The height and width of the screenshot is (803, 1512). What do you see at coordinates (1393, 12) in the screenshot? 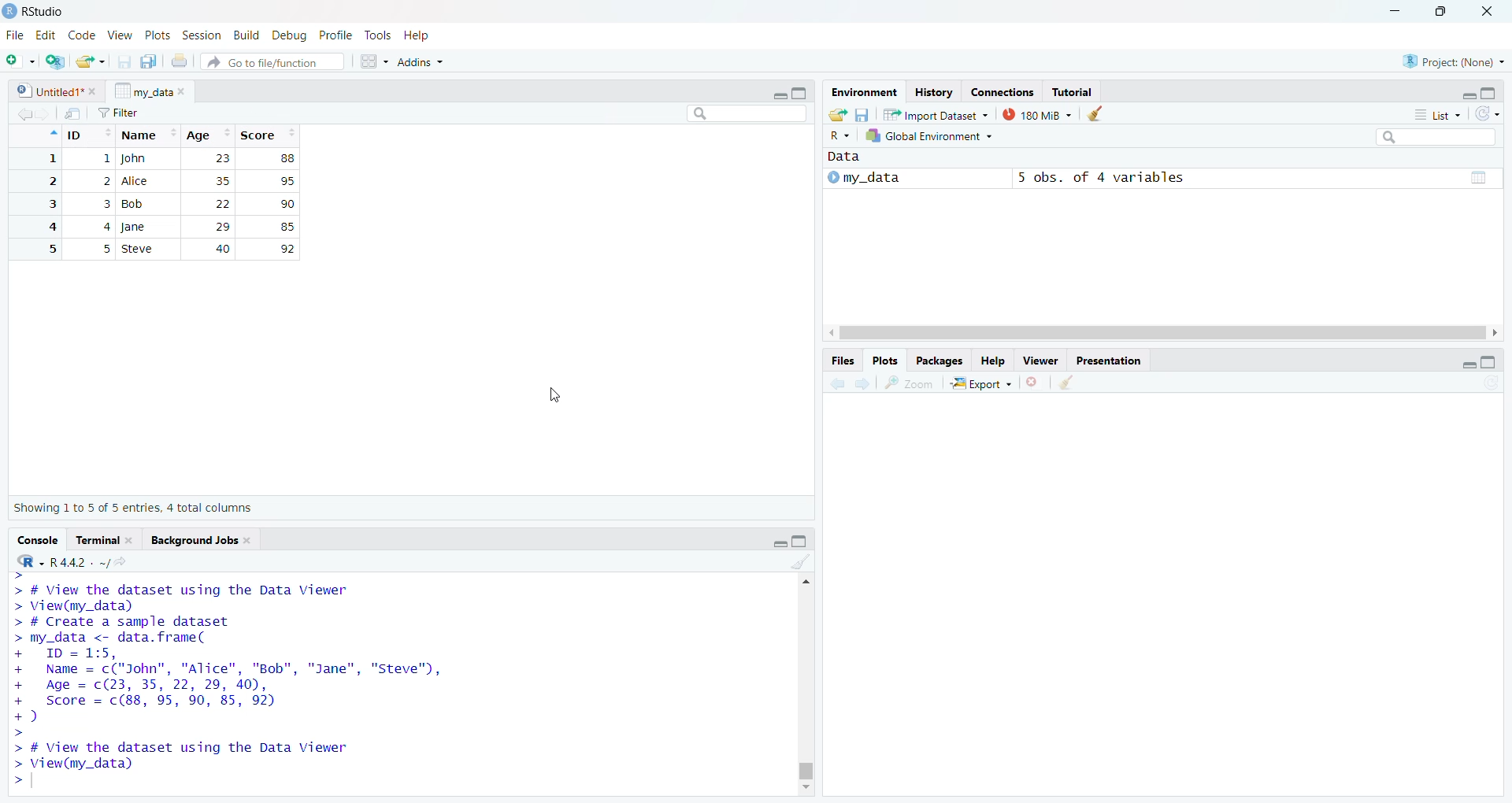
I see `Minimize` at bounding box center [1393, 12].